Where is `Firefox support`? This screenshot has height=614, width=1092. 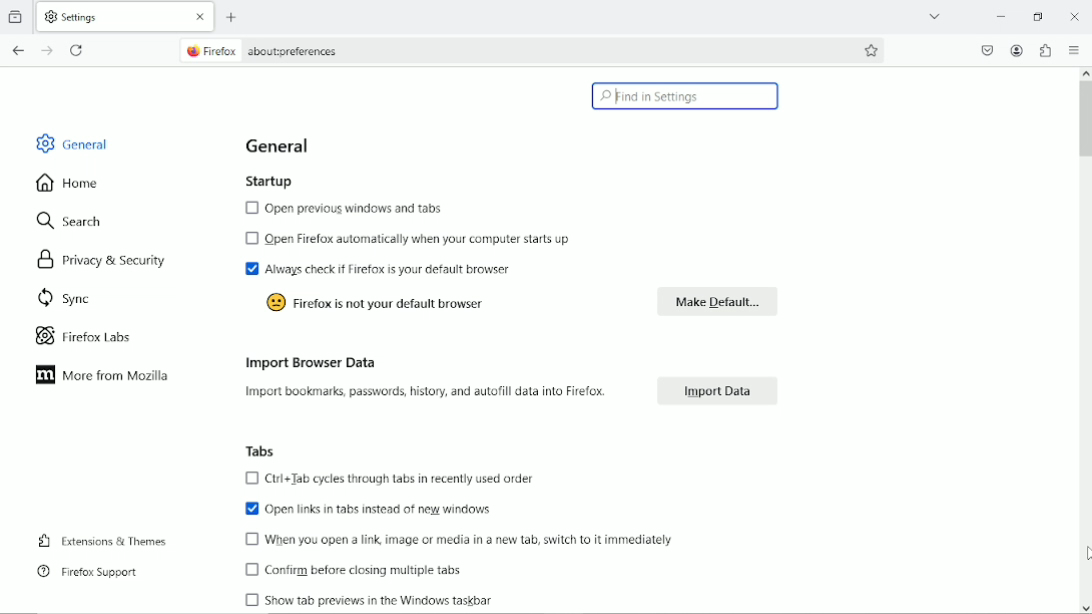 Firefox support is located at coordinates (88, 571).